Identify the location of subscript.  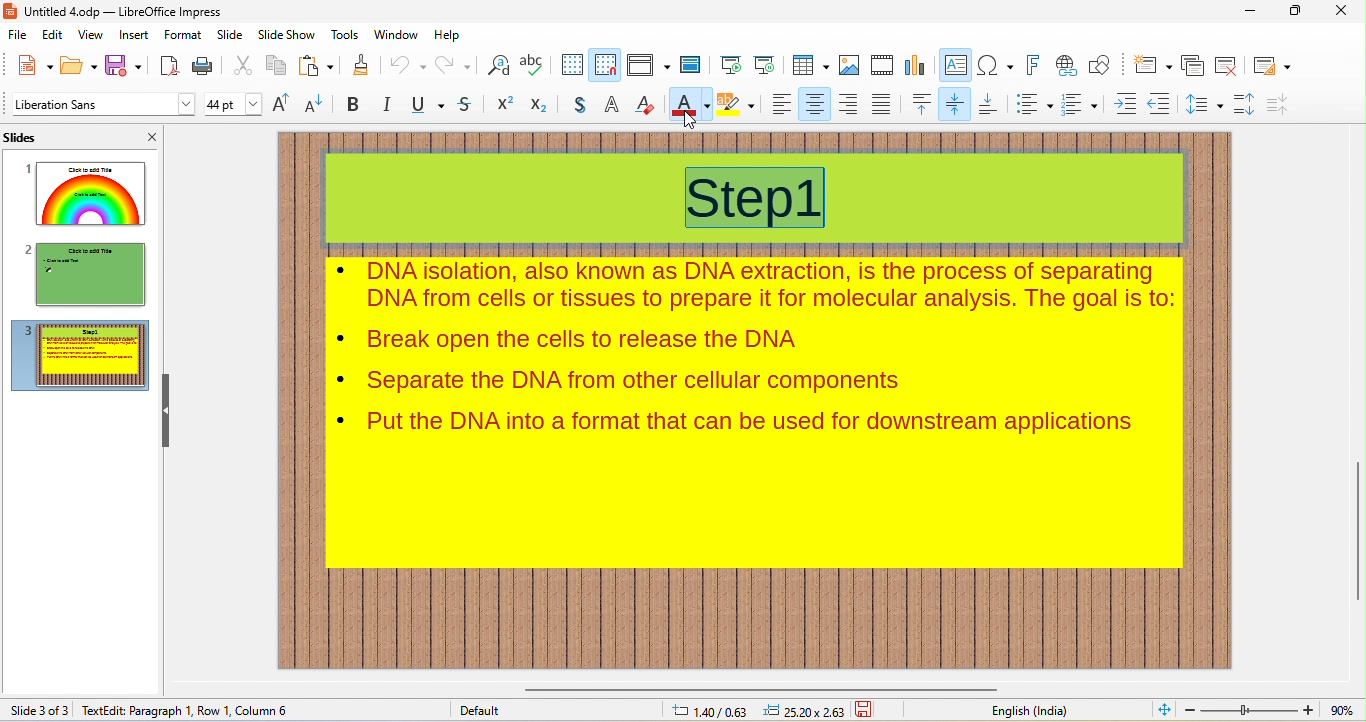
(540, 106).